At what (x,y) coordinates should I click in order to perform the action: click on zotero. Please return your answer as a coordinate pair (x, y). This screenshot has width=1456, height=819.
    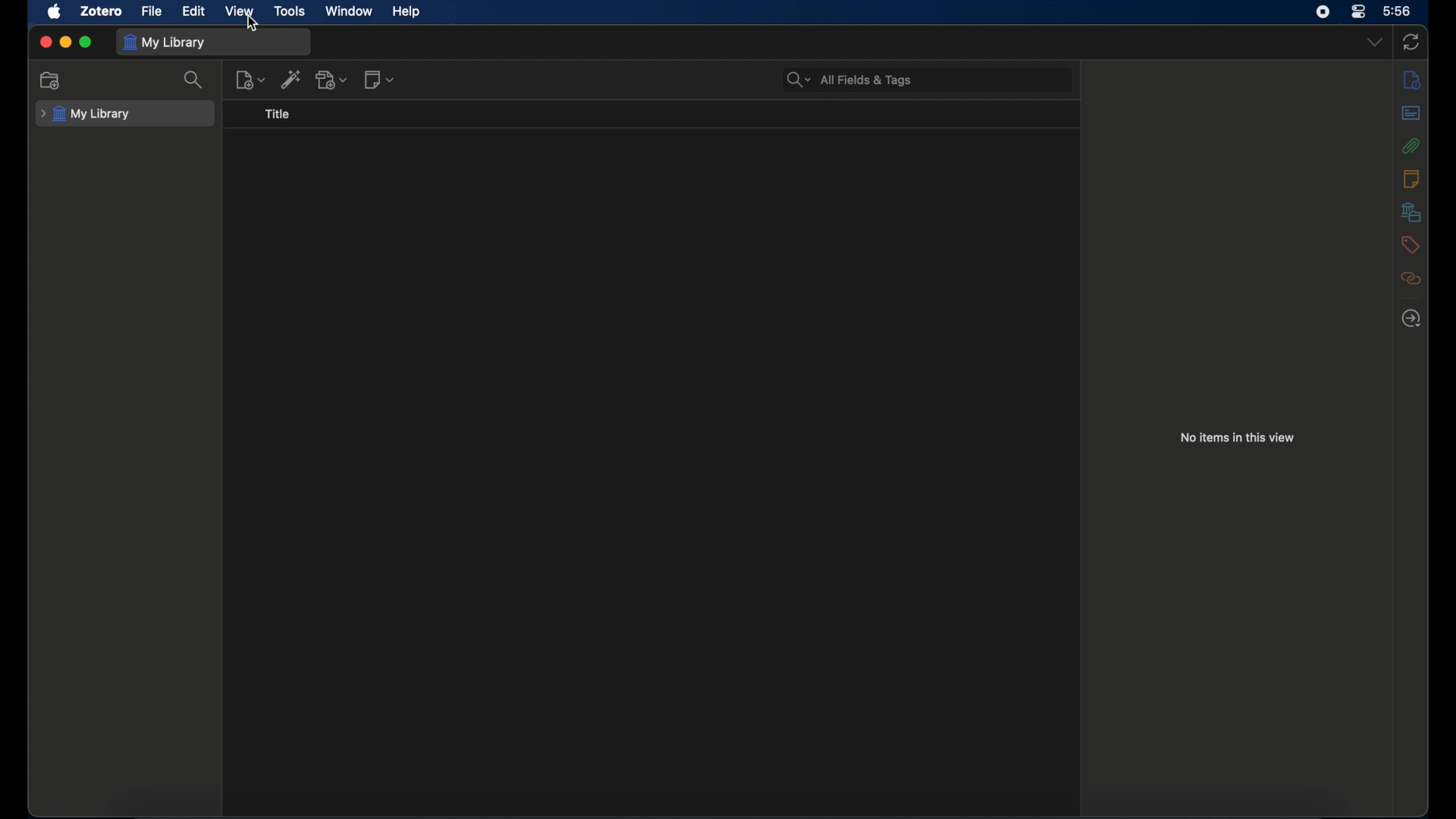
    Looking at the image, I should click on (100, 11).